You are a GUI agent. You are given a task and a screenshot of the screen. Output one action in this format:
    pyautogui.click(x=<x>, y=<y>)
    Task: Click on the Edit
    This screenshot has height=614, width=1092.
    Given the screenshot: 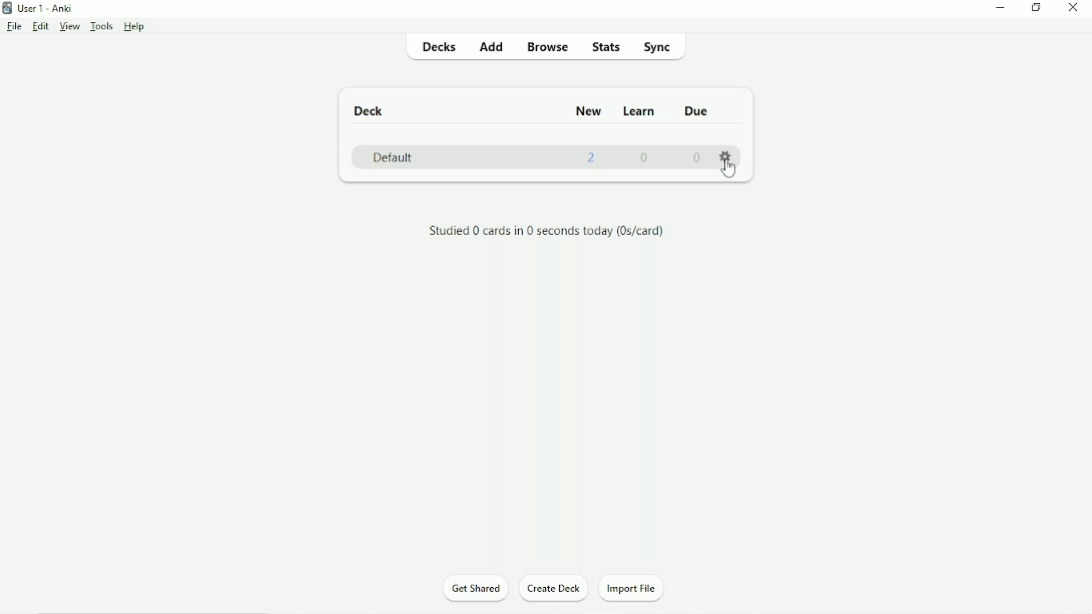 What is the action you would take?
    pyautogui.click(x=41, y=26)
    